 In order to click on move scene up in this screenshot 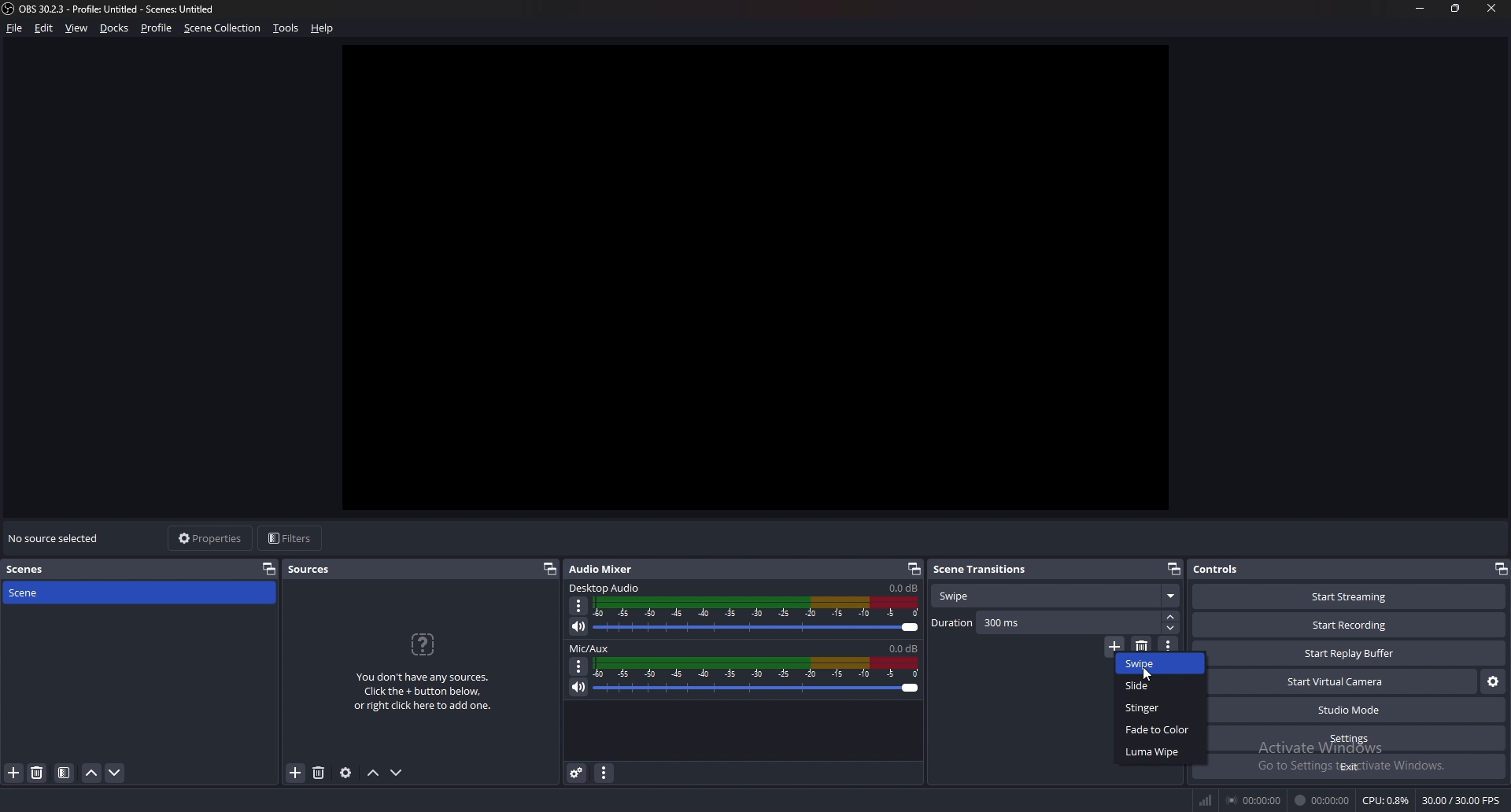, I will do `click(91, 773)`.